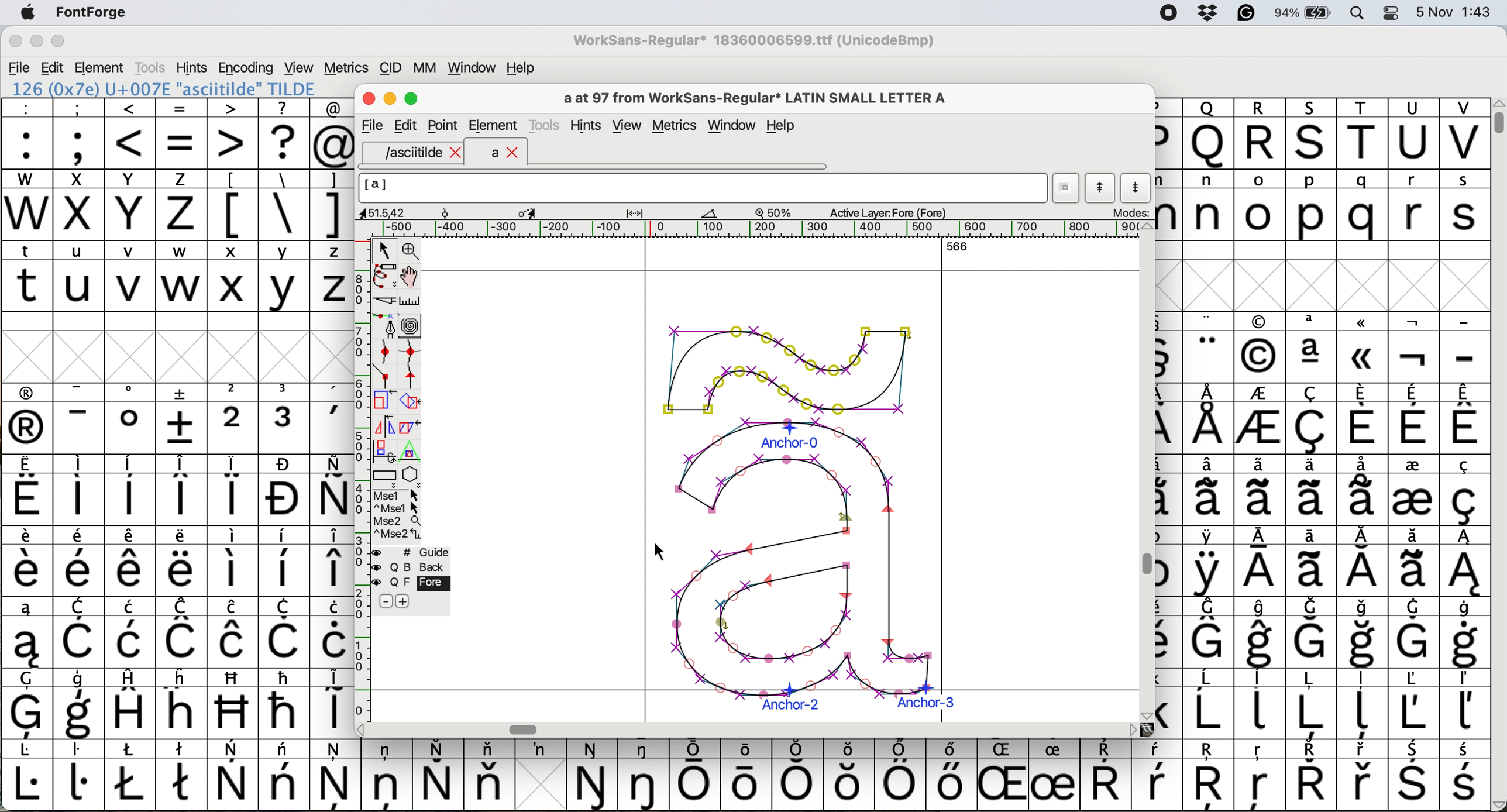 The image size is (1507, 812). I want to click on symbol, so click(336, 774).